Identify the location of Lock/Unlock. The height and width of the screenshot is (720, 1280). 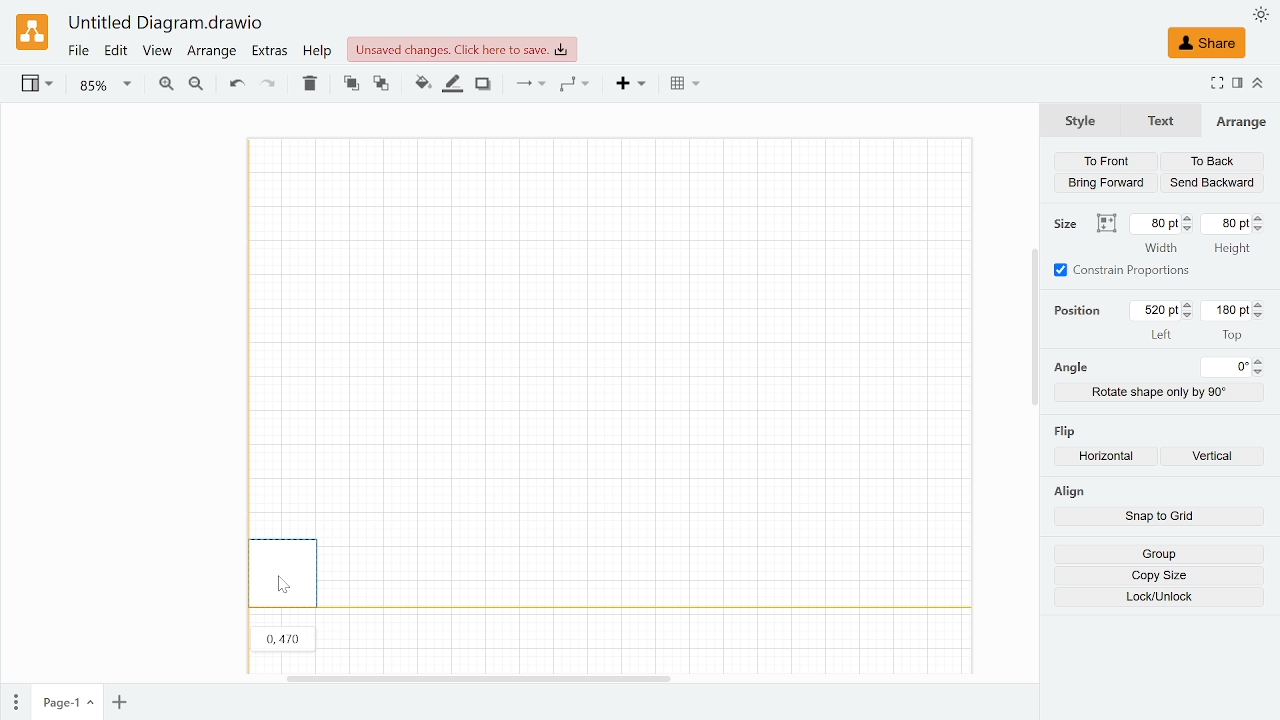
(1160, 597).